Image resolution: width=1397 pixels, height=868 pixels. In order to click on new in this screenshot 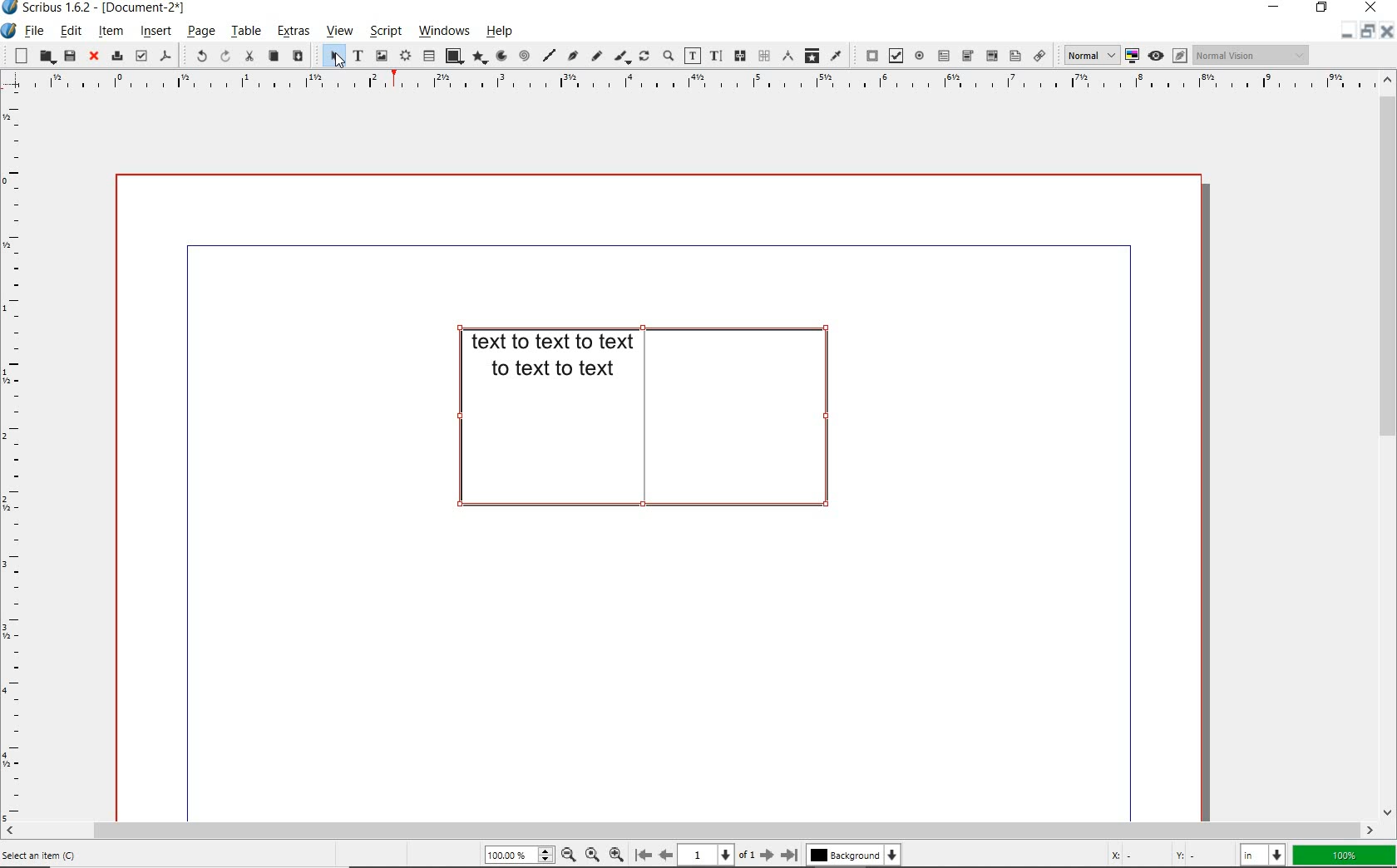, I will do `click(18, 56)`.